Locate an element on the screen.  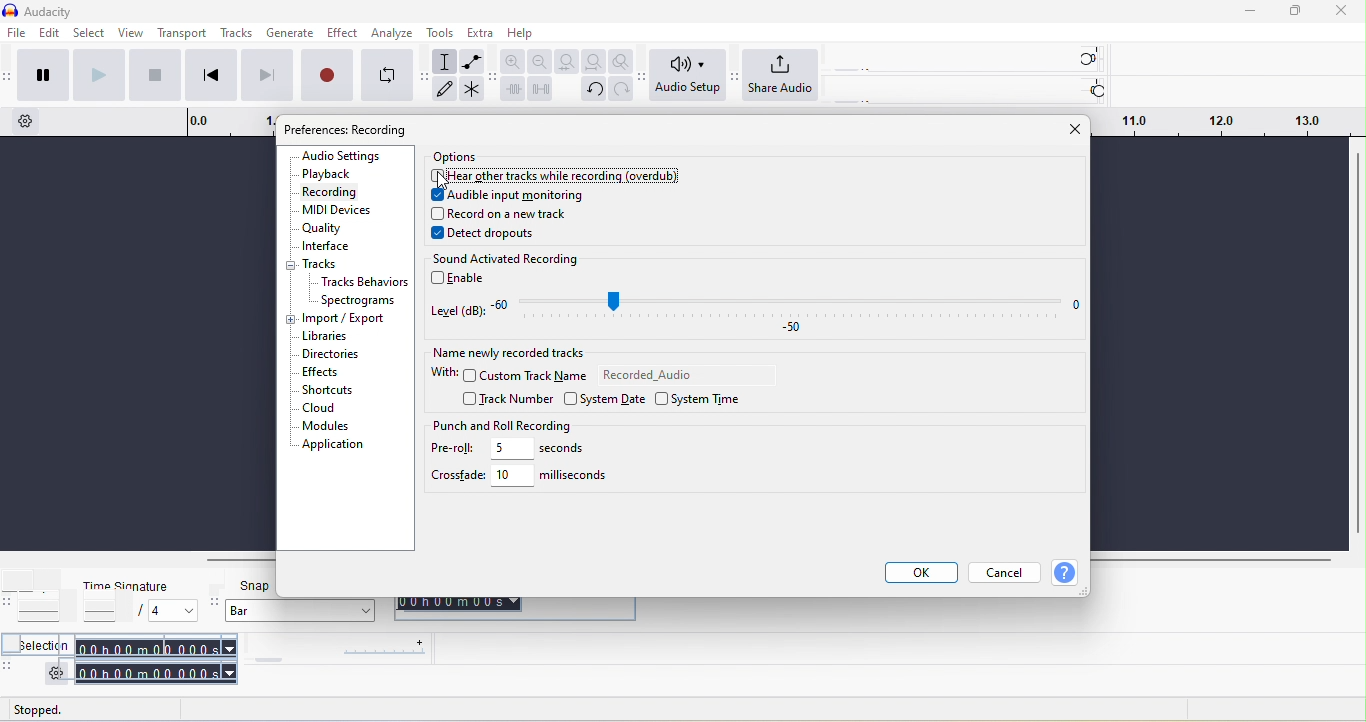
ok is located at coordinates (923, 572).